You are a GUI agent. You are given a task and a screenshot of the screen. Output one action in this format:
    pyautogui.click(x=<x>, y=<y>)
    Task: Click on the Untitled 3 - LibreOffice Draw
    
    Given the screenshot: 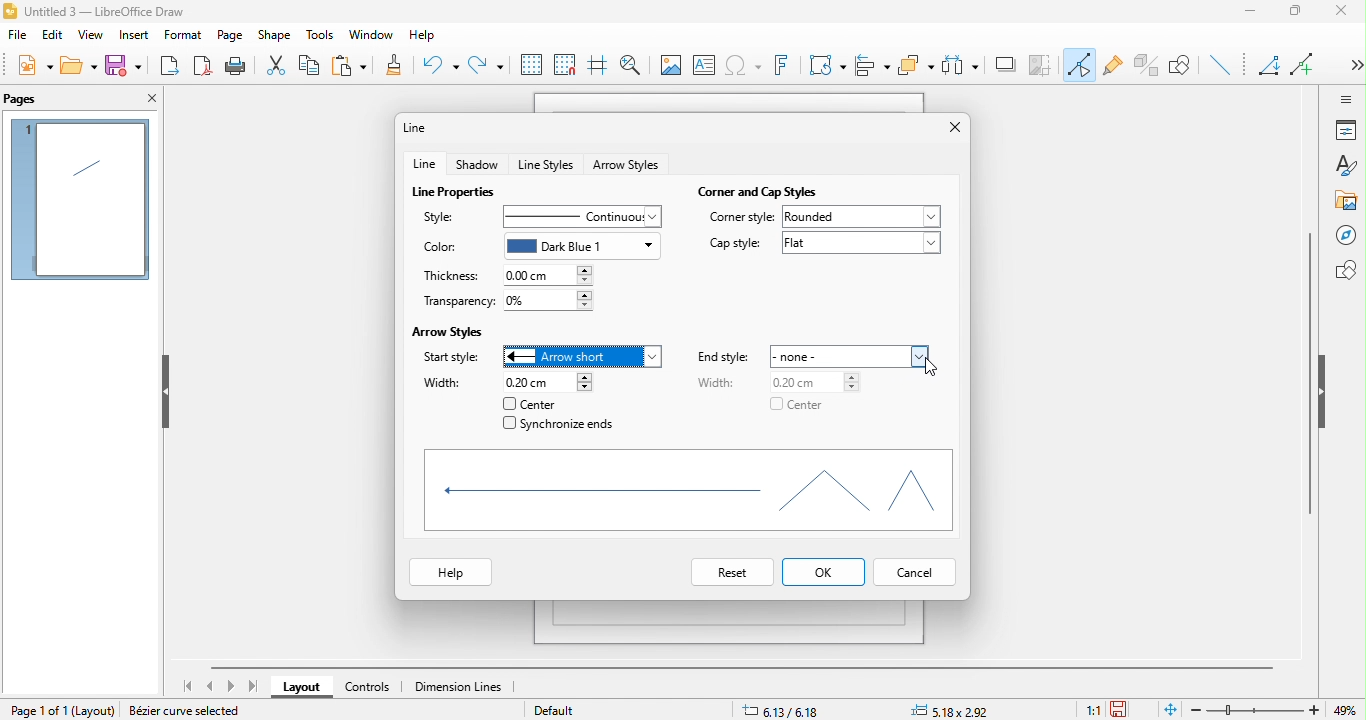 What is the action you would take?
    pyautogui.click(x=96, y=10)
    